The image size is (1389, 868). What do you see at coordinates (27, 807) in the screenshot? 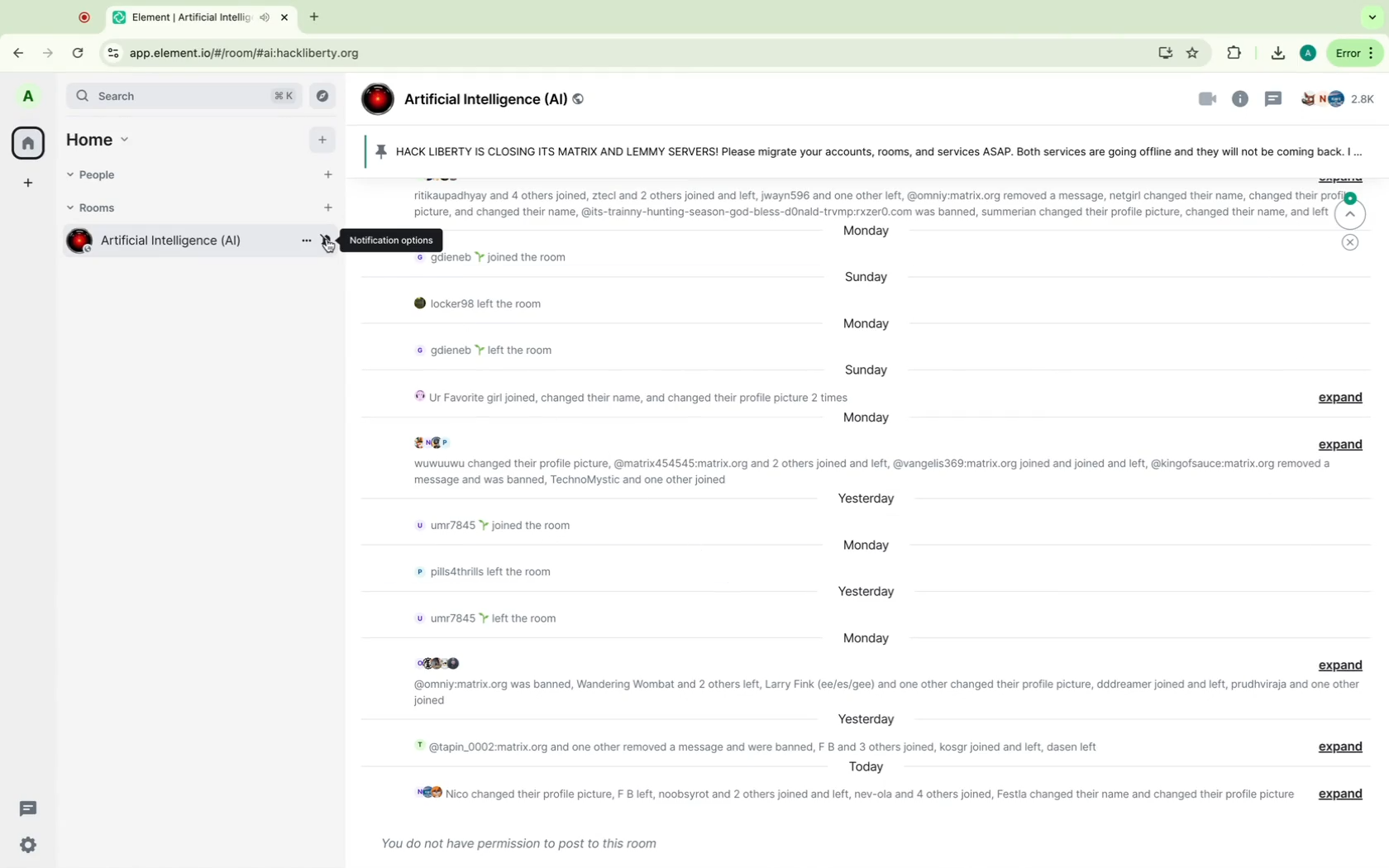
I see `threads` at bounding box center [27, 807].